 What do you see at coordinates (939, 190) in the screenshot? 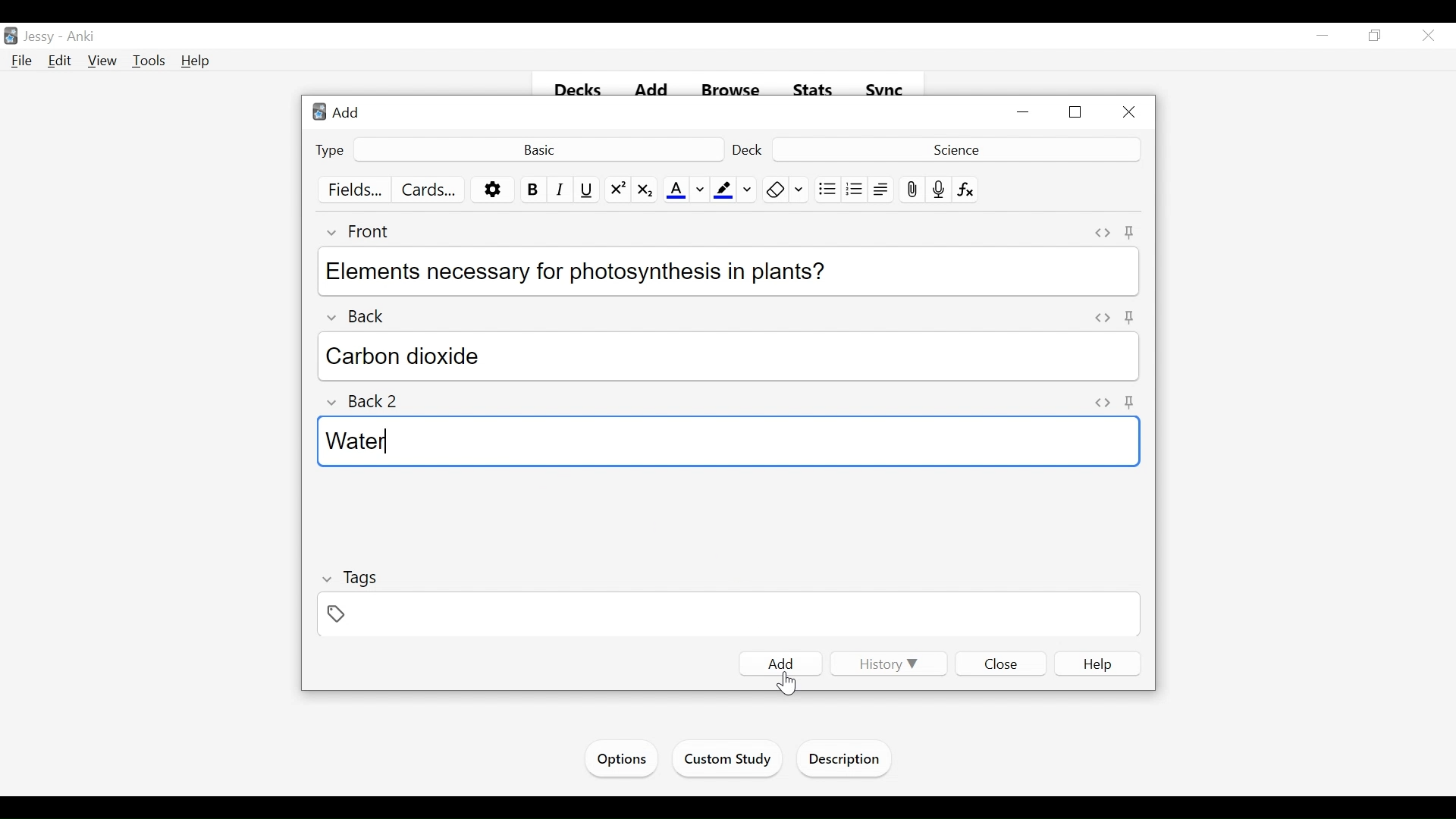
I see `Record Audio` at bounding box center [939, 190].